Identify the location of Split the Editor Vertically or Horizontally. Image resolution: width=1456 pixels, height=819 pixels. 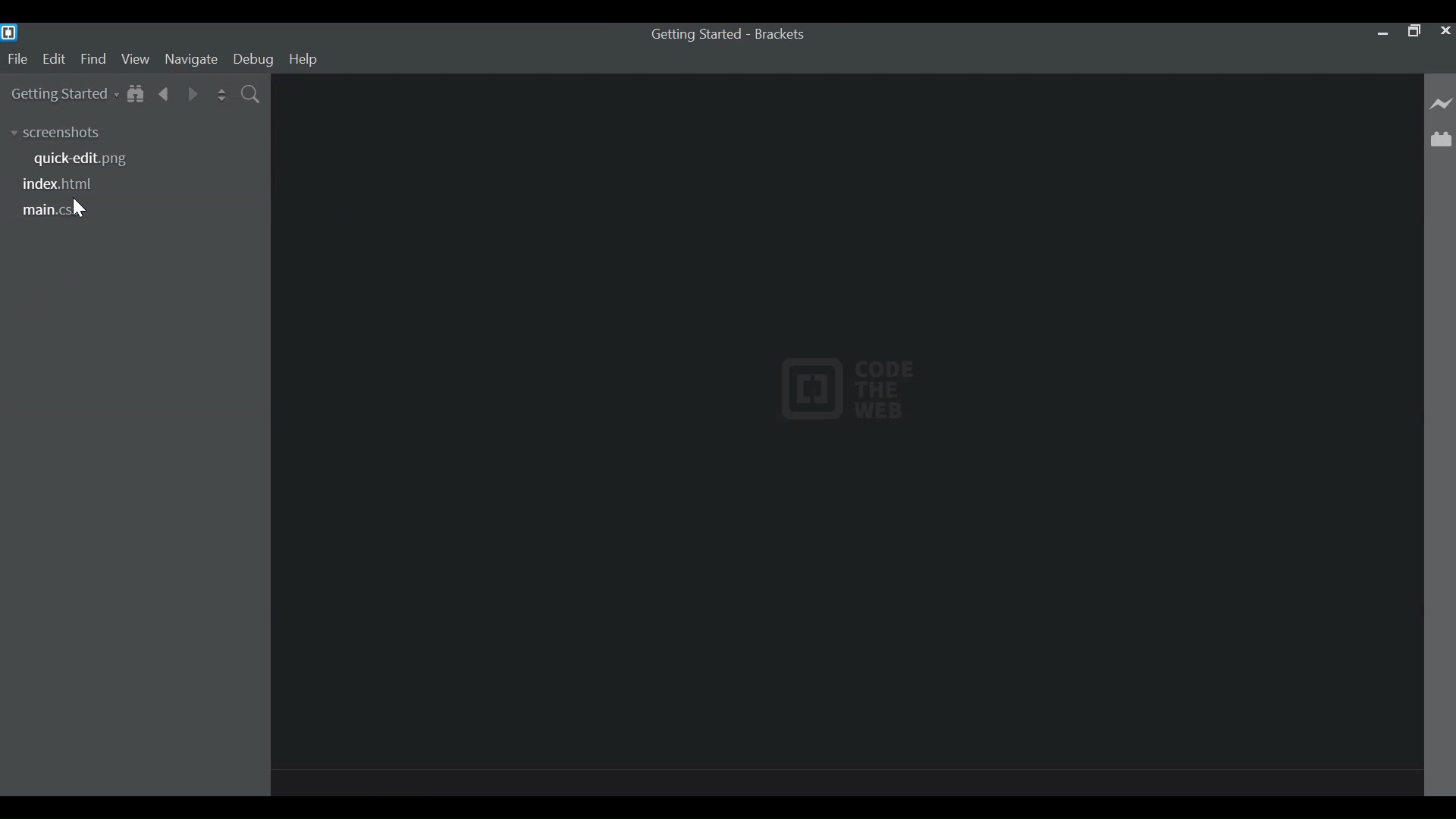
(221, 93).